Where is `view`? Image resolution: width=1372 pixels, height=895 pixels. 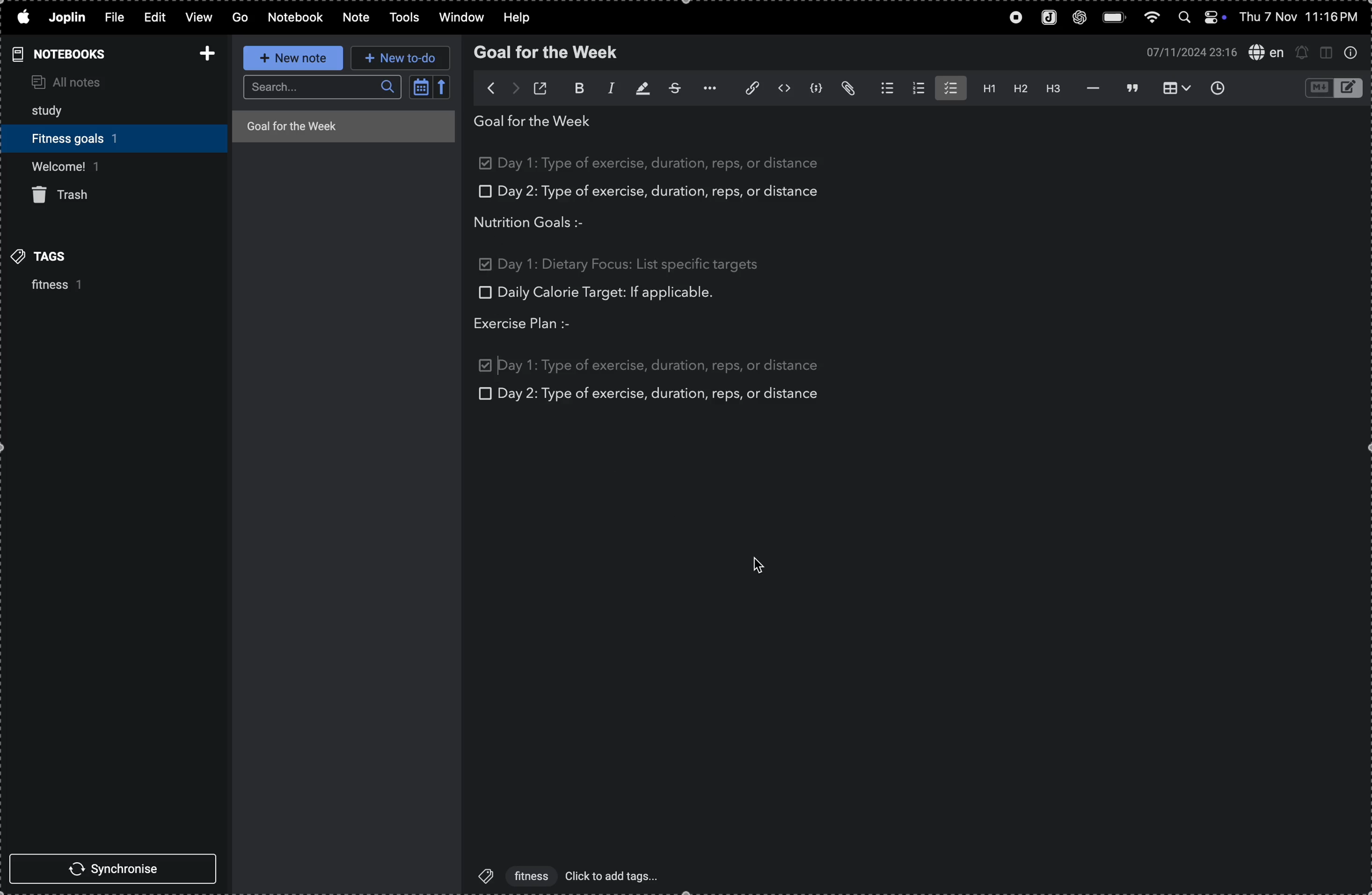 view is located at coordinates (199, 17).